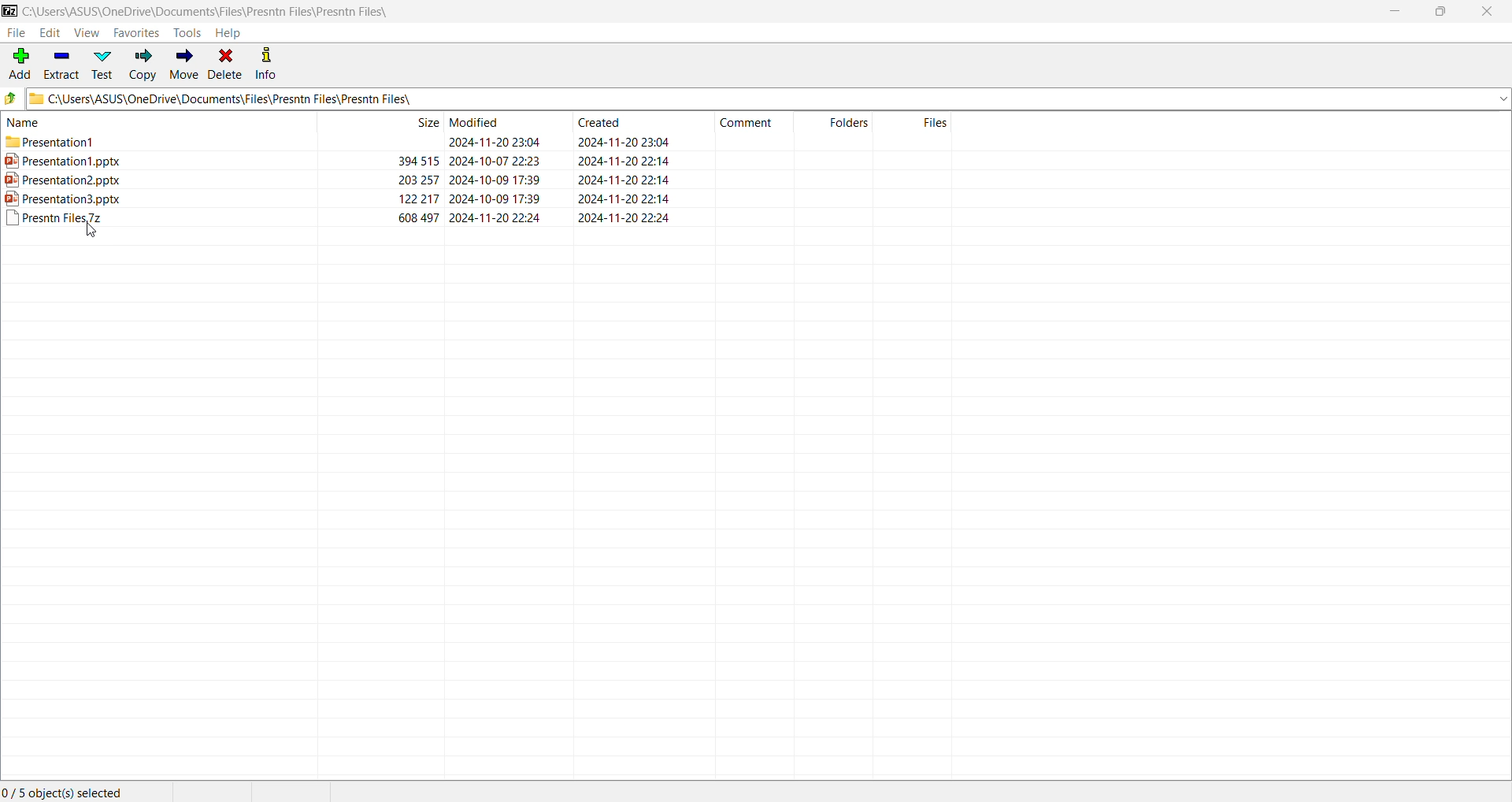  Describe the element at coordinates (769, 101) in the screenshot. I see `c\Users\ASUS\OneDrive\Documents\Files\Presntn Files\Presntn Files\` at that location.